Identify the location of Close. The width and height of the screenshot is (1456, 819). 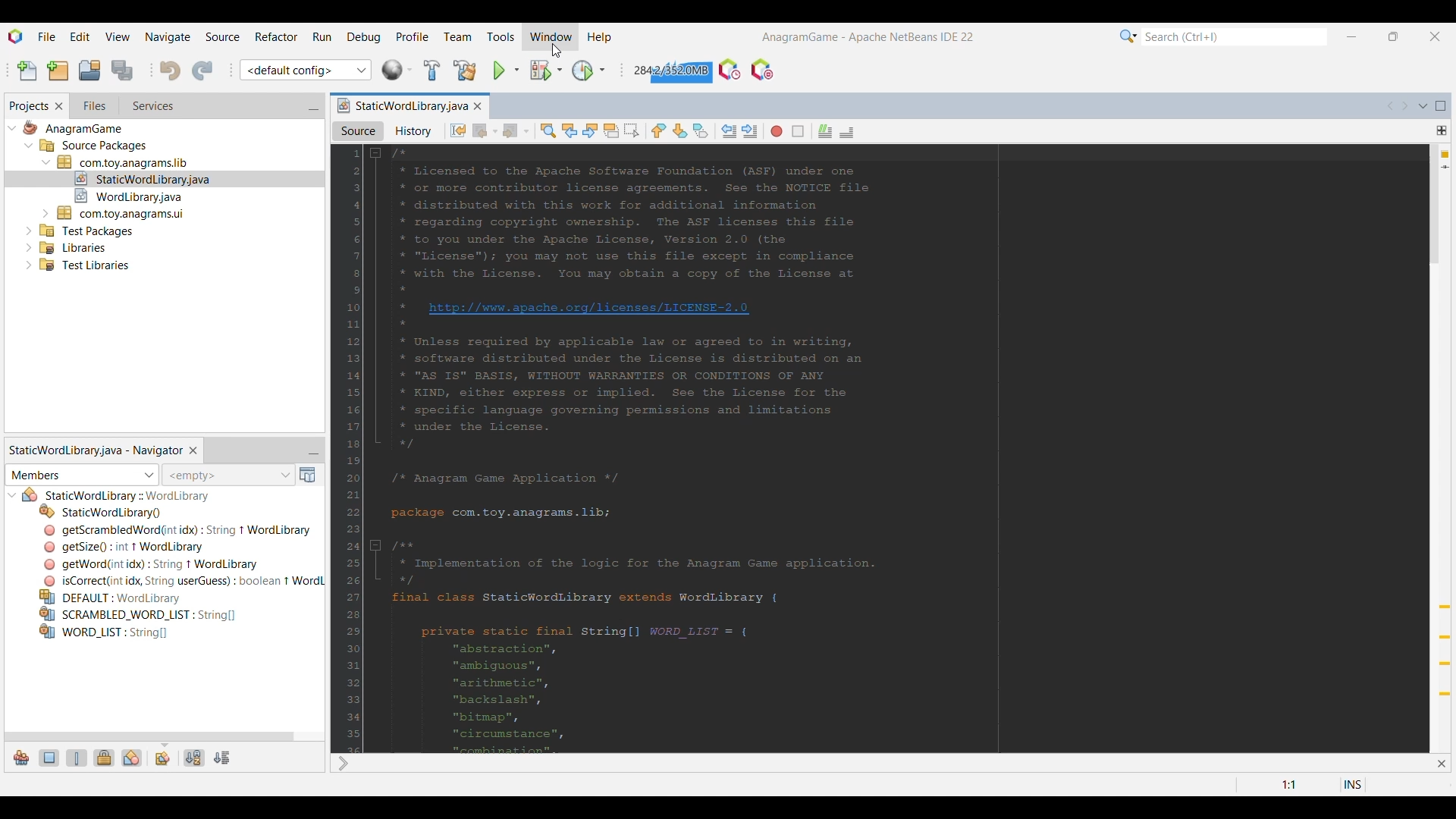
(1441, 764).